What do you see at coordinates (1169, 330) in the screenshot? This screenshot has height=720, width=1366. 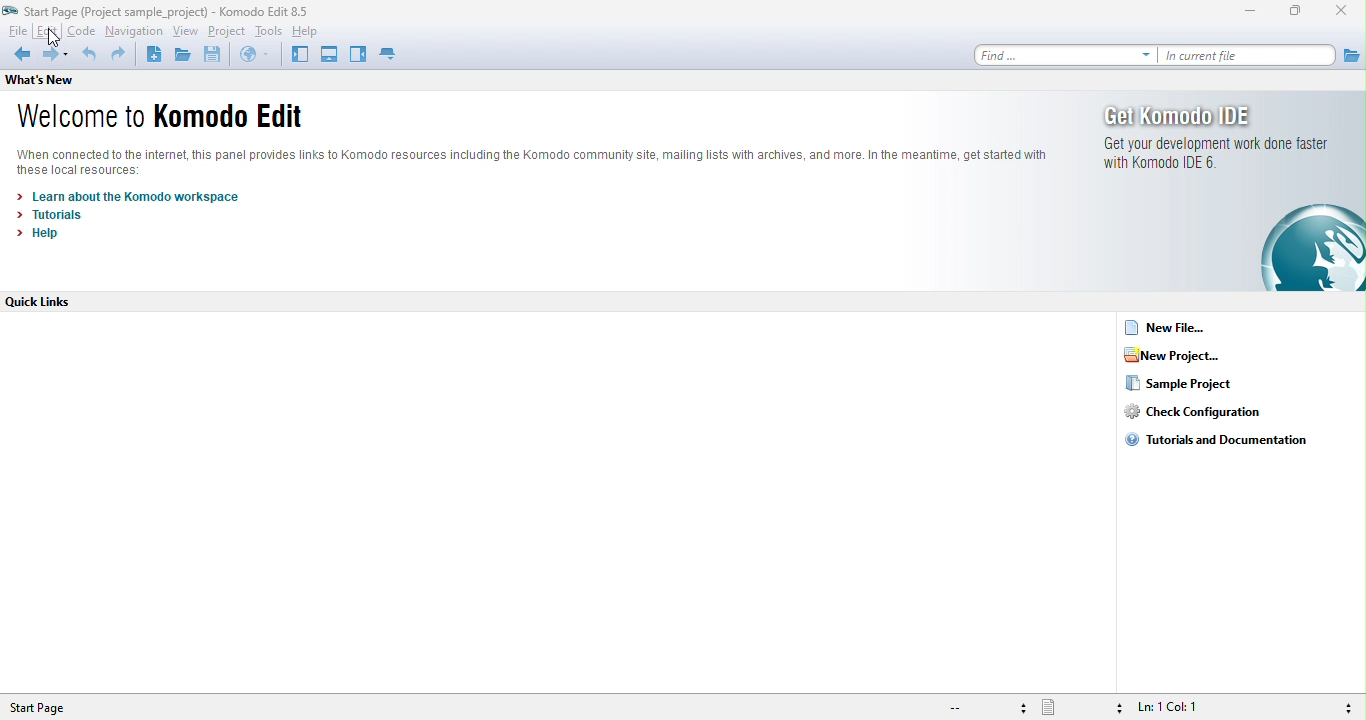 I see `new file` at bounding box center [1169, 330].